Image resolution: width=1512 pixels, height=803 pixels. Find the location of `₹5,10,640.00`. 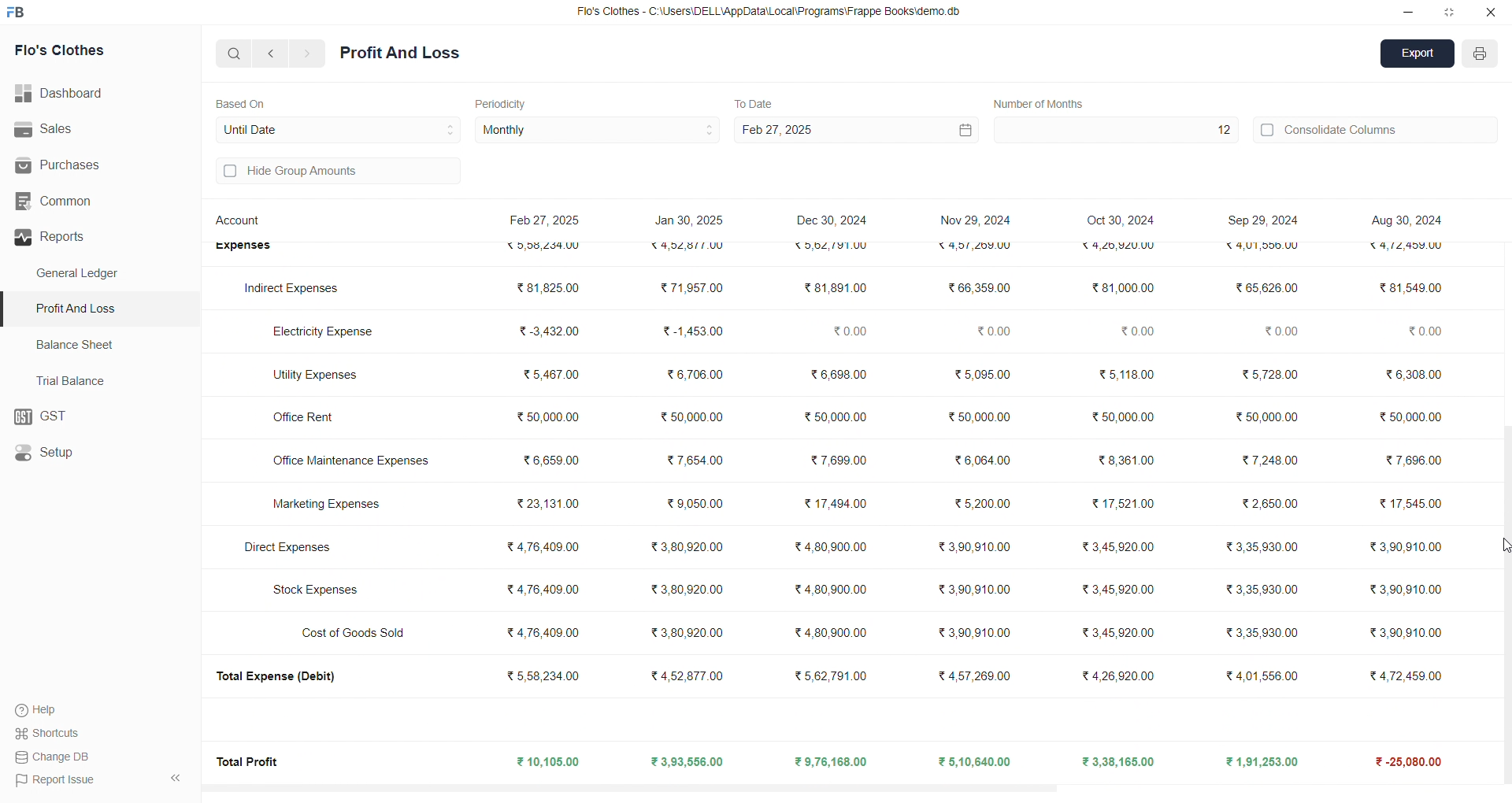

₹5,10,640.00 is located at coordinates (976, 761).